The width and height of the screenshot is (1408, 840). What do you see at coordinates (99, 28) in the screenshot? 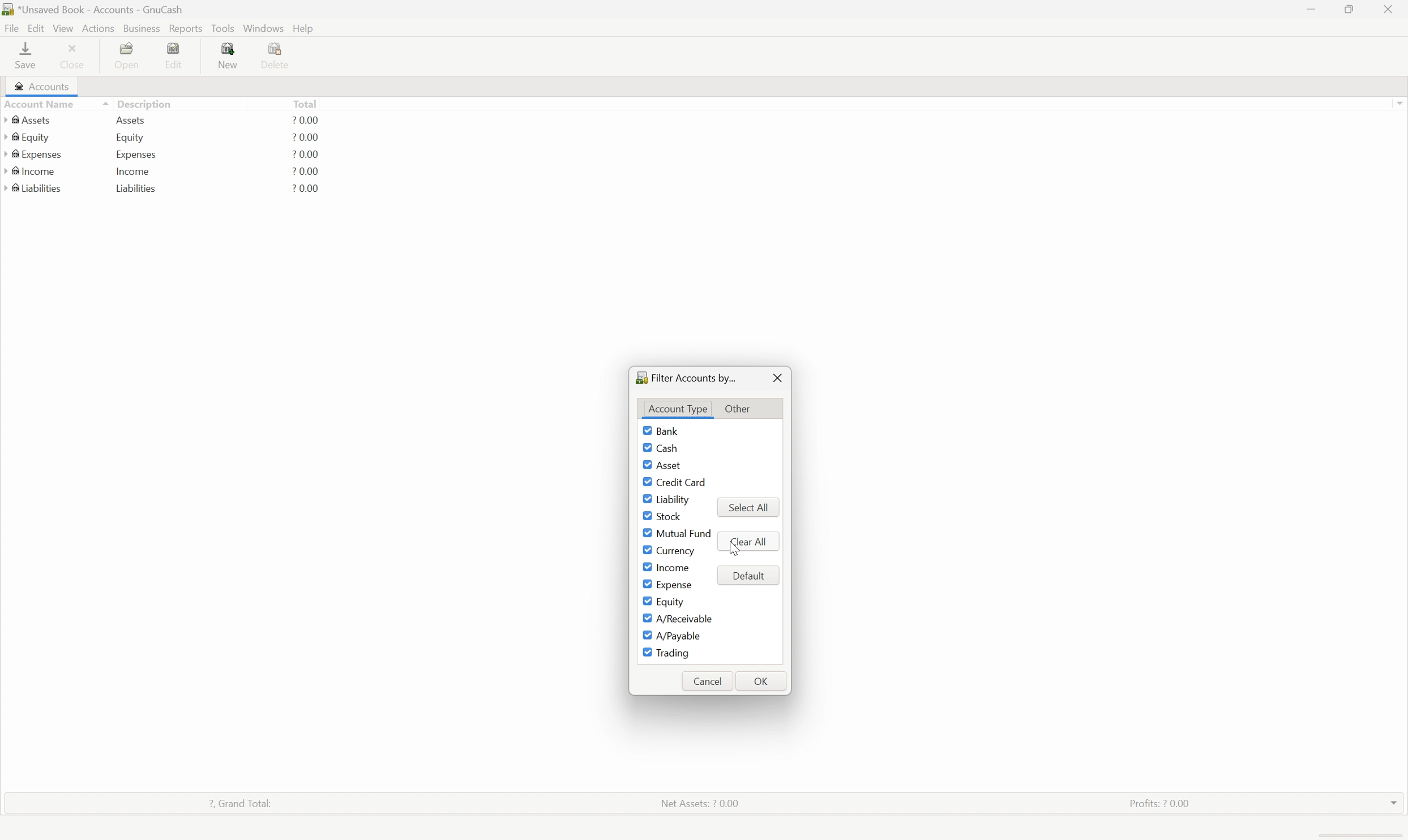
I see `Actions` at bounding box center [99, 28].